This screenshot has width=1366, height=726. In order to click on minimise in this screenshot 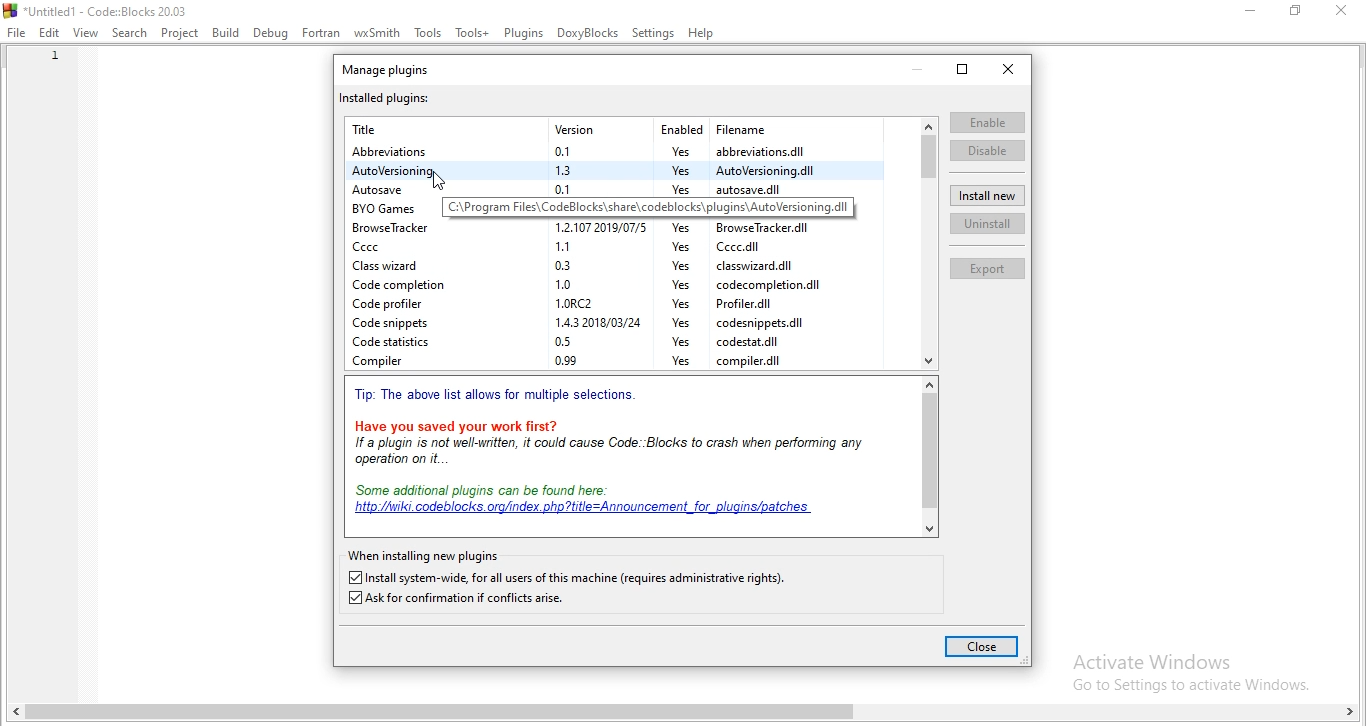, I will do `click(921, 65)`.